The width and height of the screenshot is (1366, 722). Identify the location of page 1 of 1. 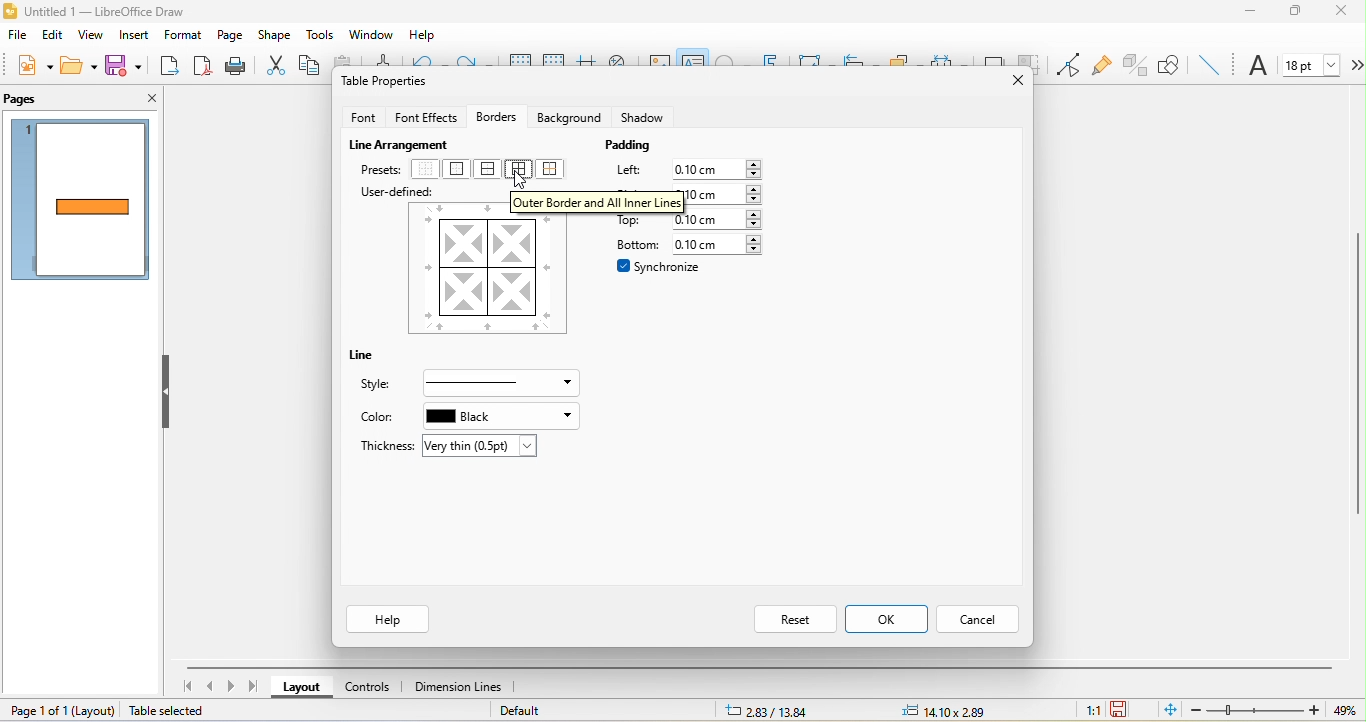
(35, 709).